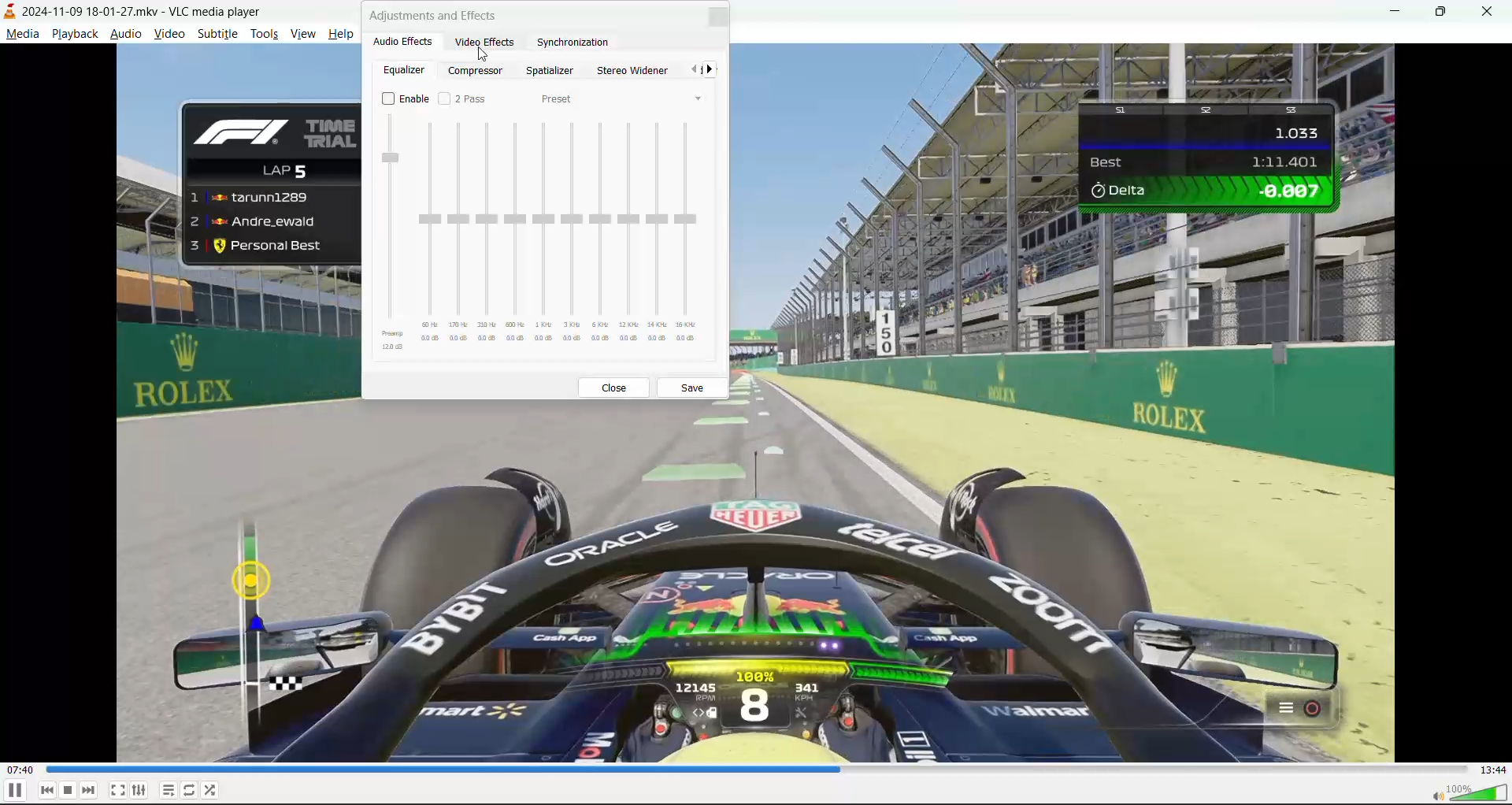  Describe the element at coordinates (343, 33) in the screenshot. I see `help` at that location.